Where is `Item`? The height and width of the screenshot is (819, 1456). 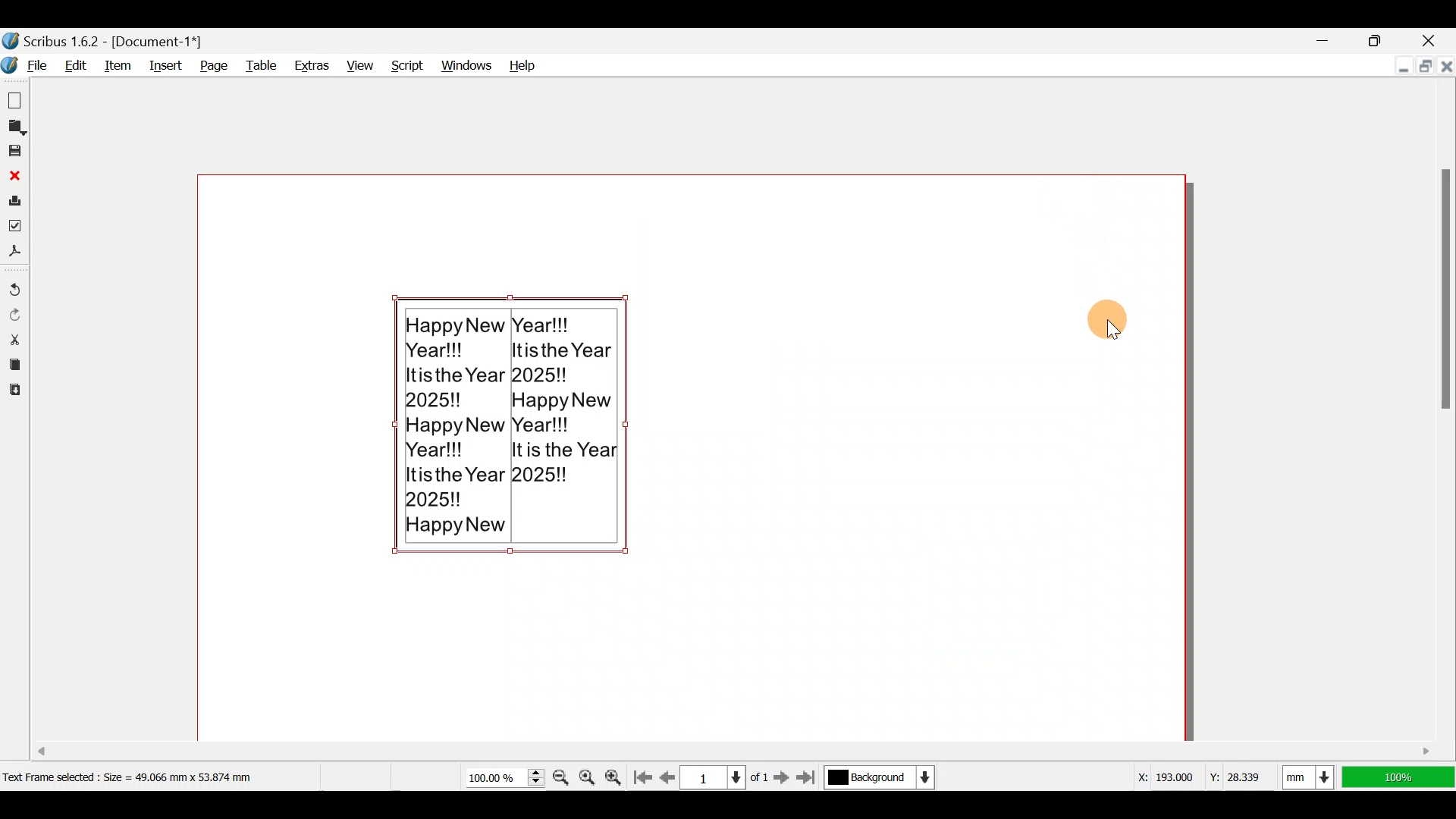 Item is located at coordinates (121, 66).